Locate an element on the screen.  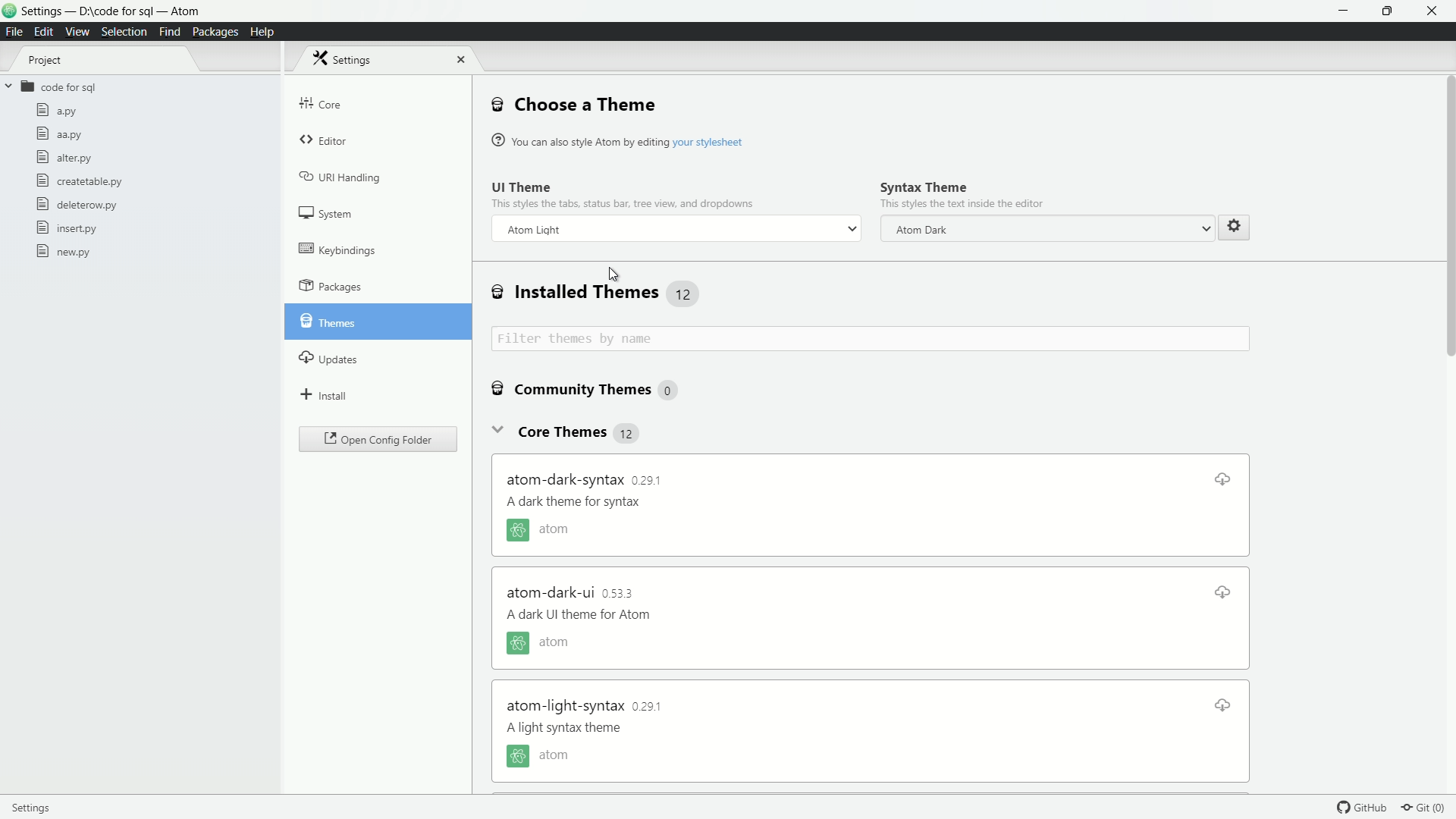
settings is located at coordinates (1232, 225).